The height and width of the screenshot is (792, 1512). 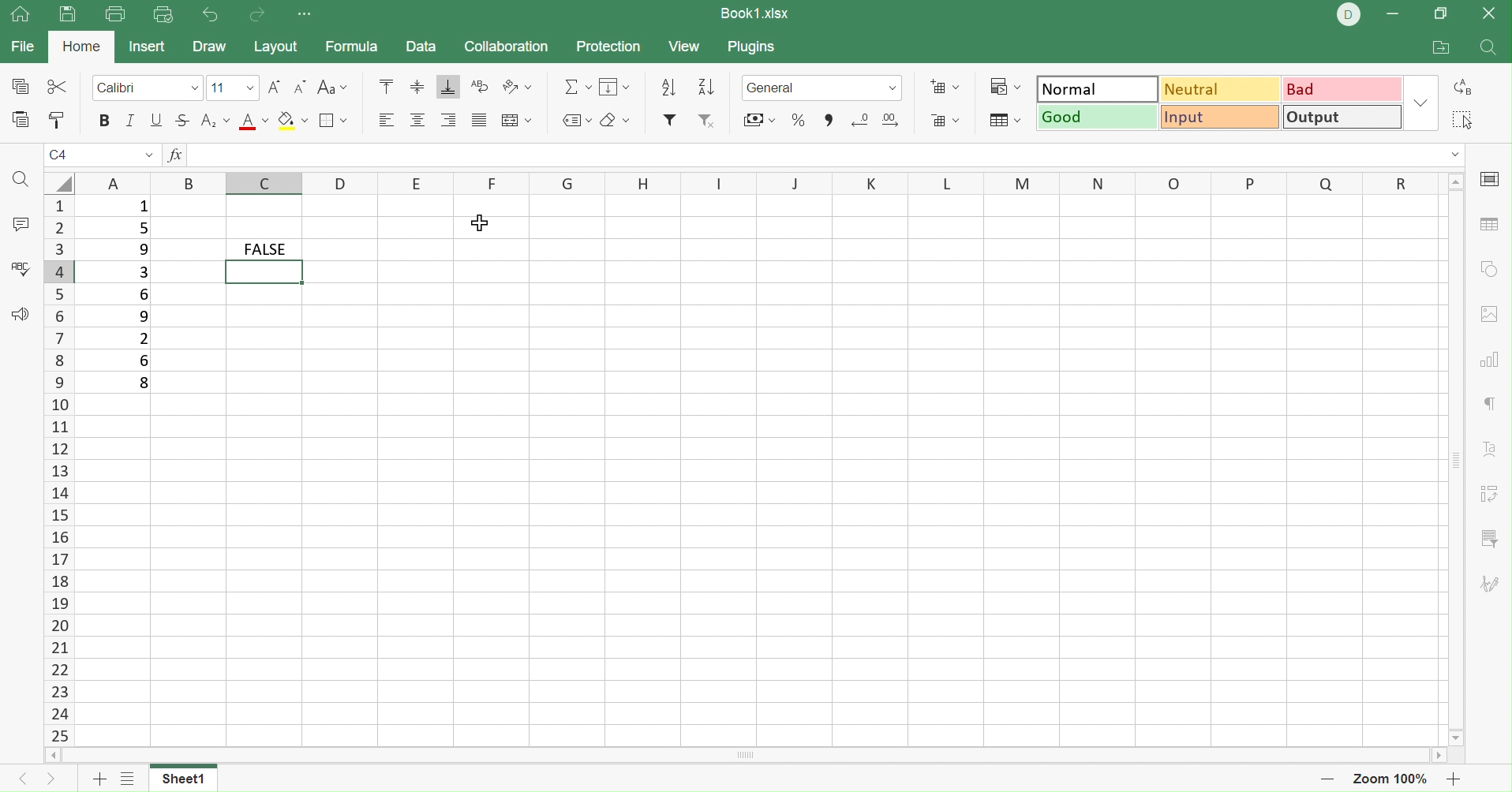 What do you see at coordinates (890, 88) in the screenshot?
I see `Drop down` at bounding box center [890, 88].